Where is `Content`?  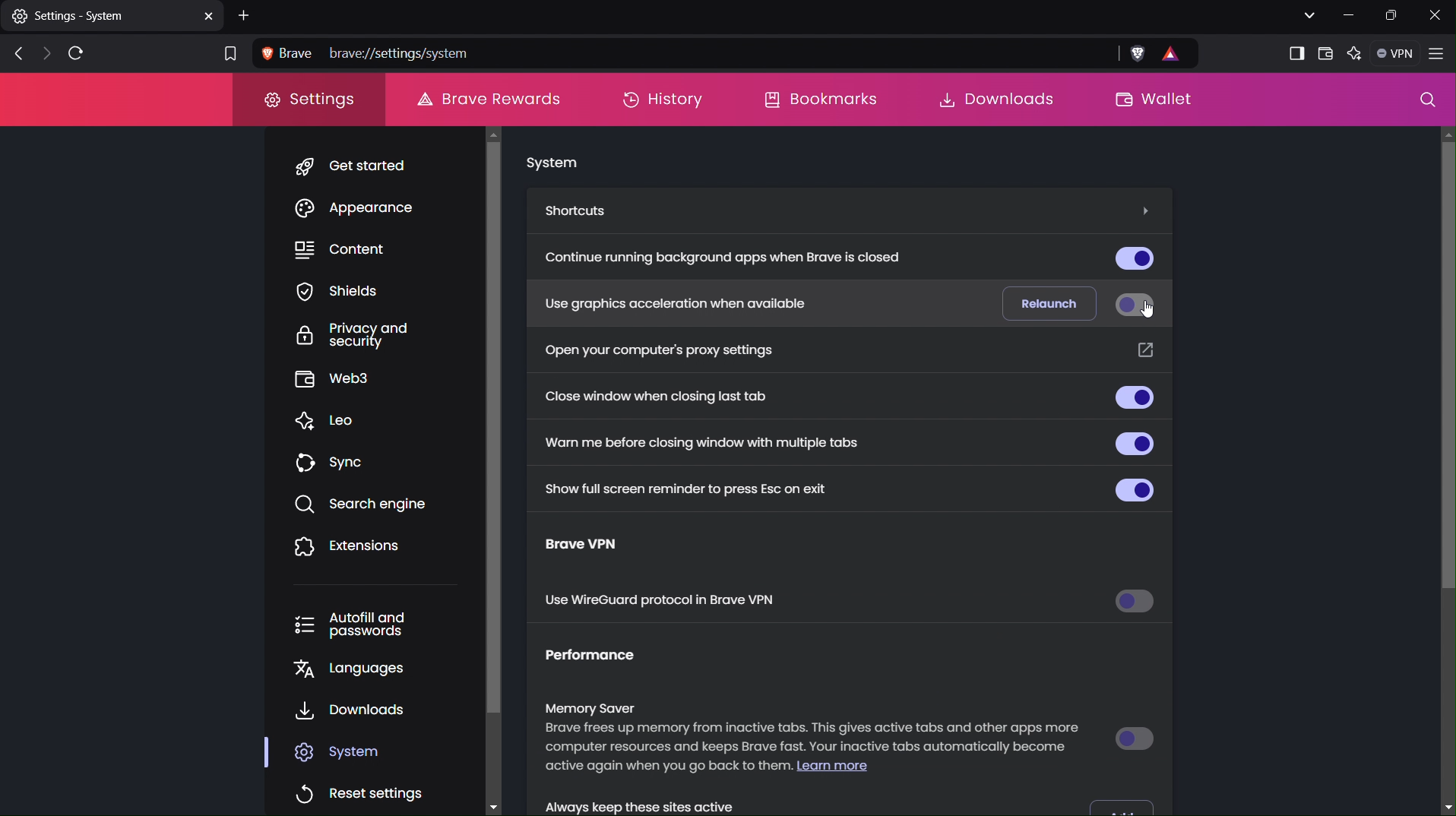 Content is located at coordinates (358, 250).